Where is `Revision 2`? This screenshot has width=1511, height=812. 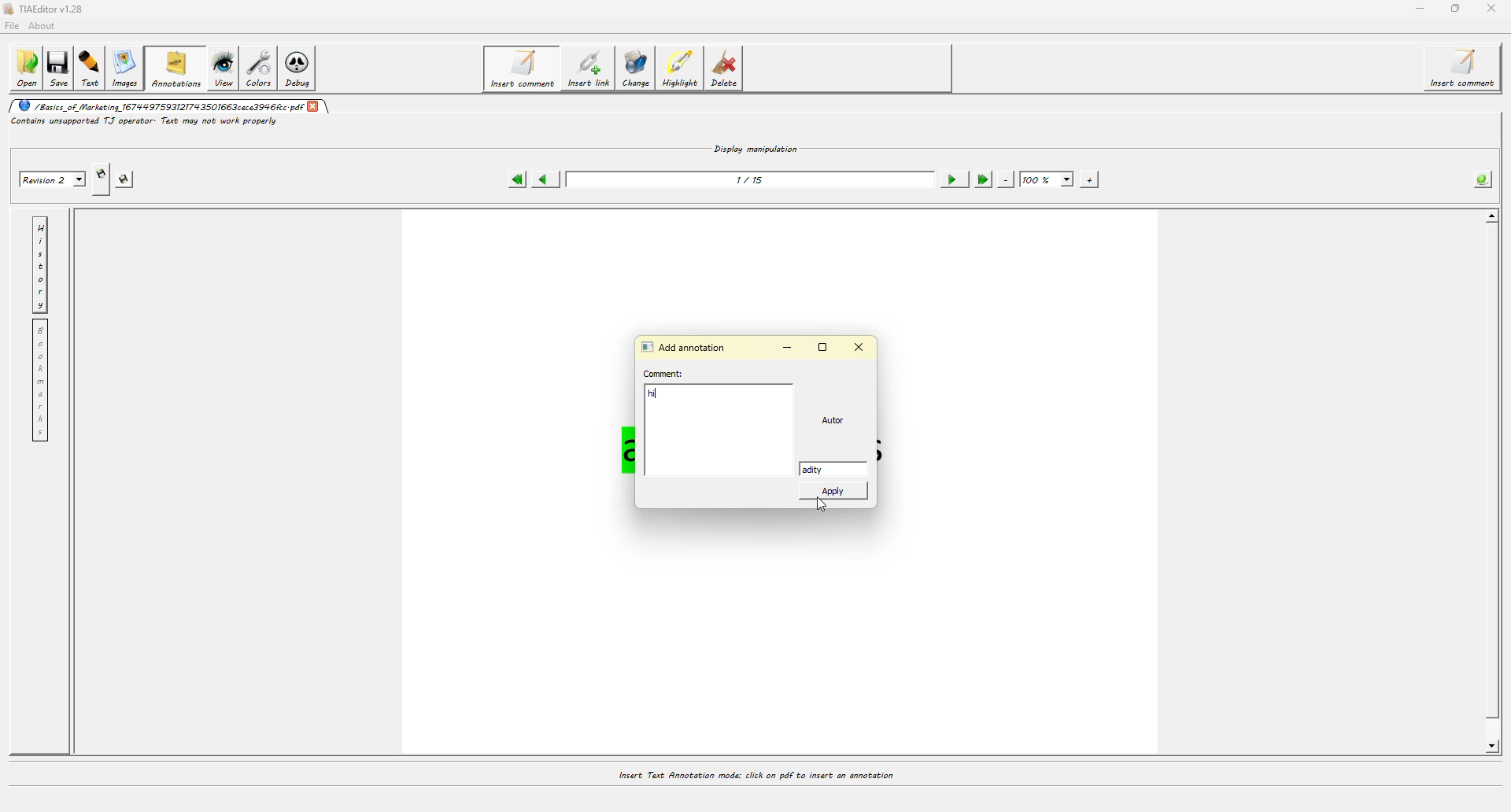
Revision 2 is located at coordinates (50, 178).